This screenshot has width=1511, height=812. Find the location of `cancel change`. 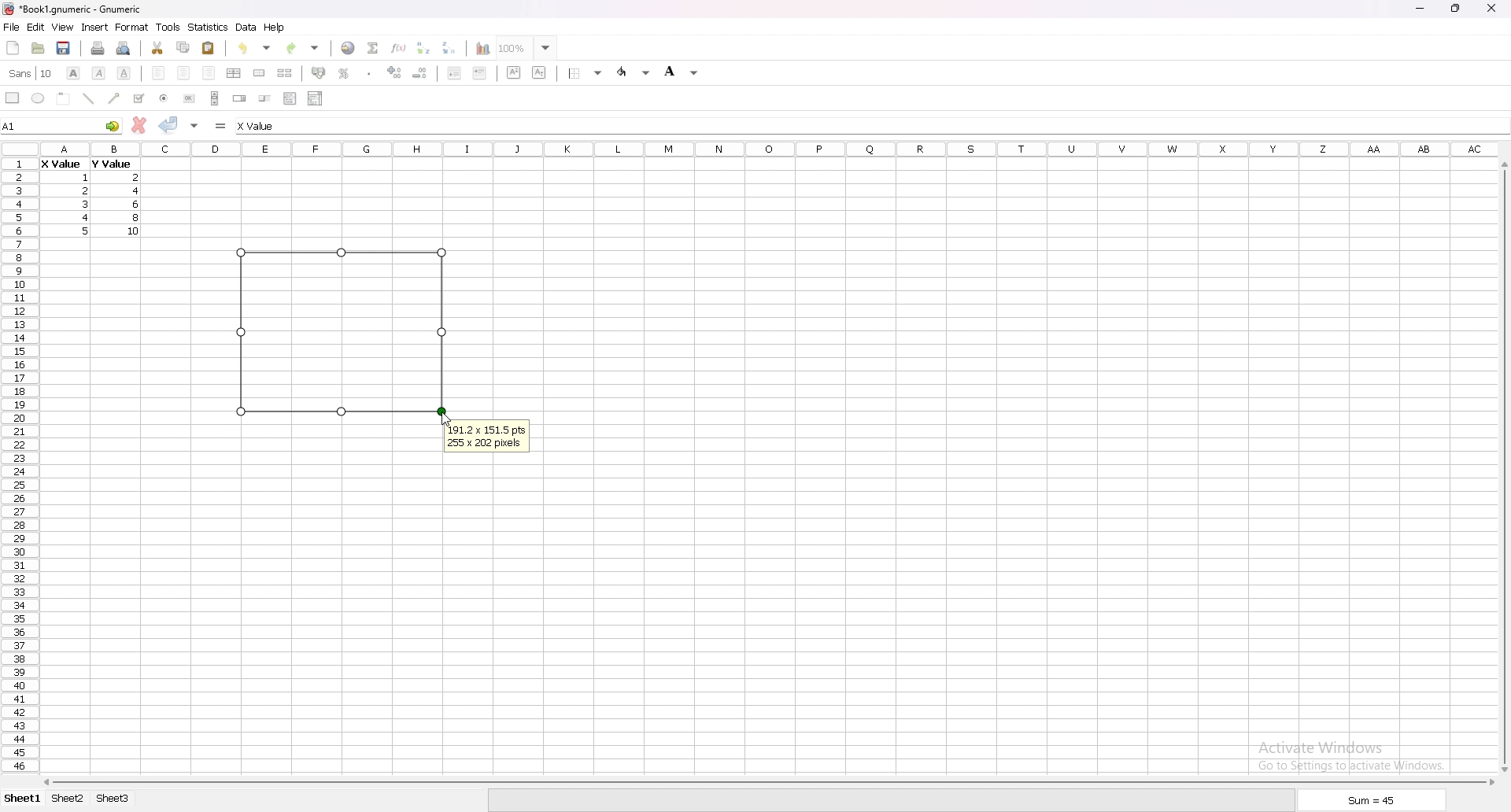

cancel change is located at coordinates (140, 125).